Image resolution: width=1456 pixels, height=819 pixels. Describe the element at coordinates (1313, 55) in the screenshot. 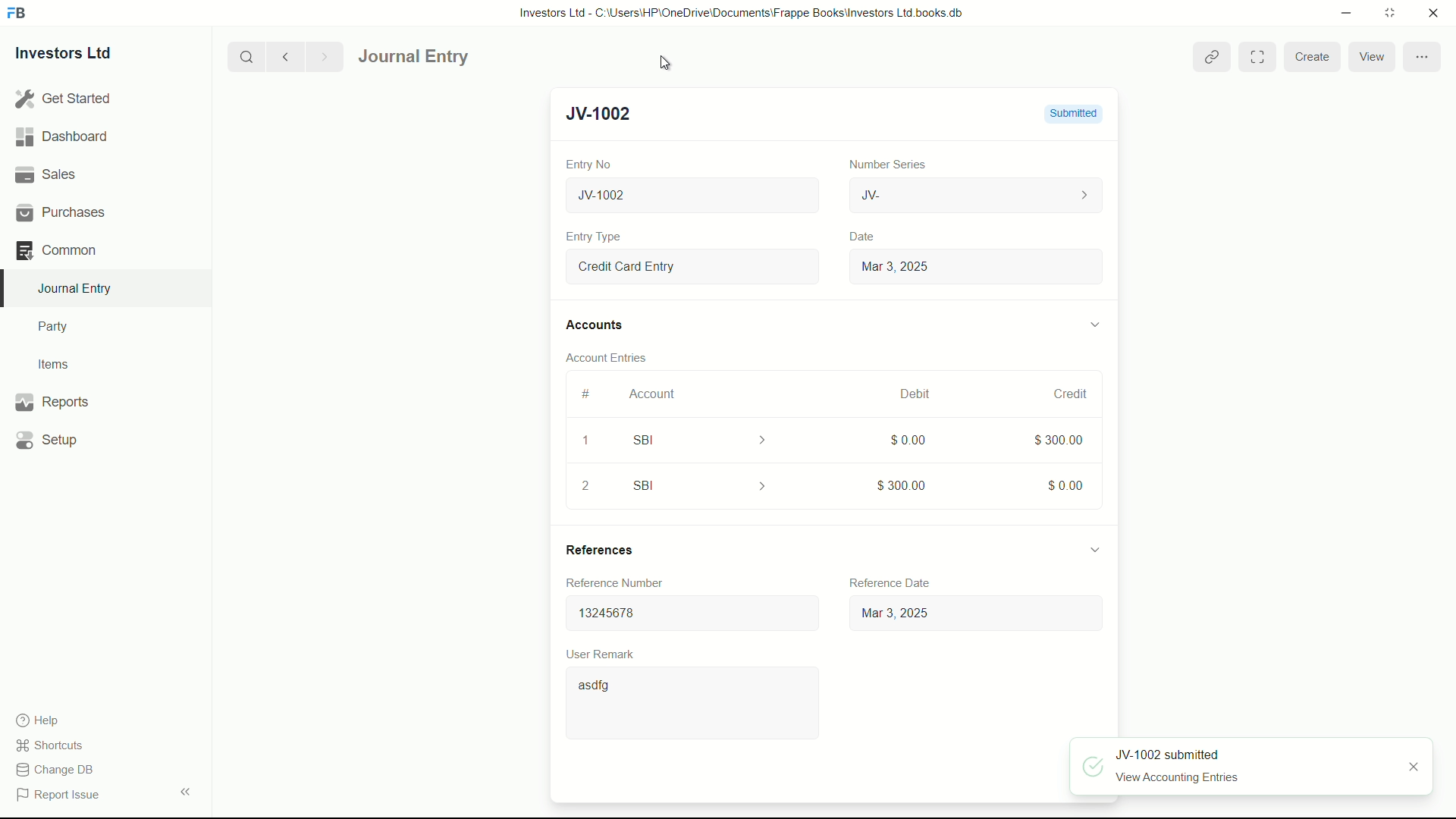

I see `create` at that location.